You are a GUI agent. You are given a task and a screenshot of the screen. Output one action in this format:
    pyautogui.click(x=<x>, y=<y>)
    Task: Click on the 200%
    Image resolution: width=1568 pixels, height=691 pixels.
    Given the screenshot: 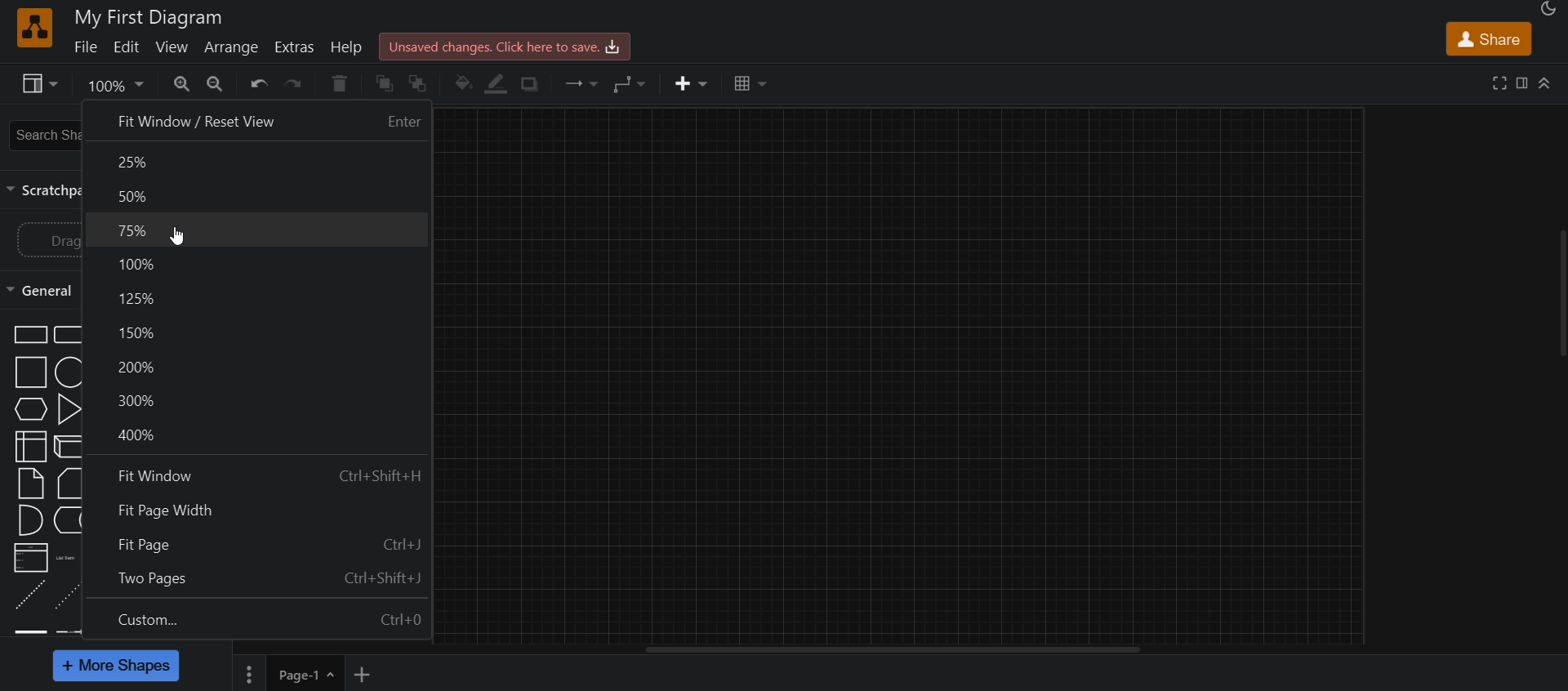 What is the action you would take?
    pyautogui.click(x=260, y=366)
    